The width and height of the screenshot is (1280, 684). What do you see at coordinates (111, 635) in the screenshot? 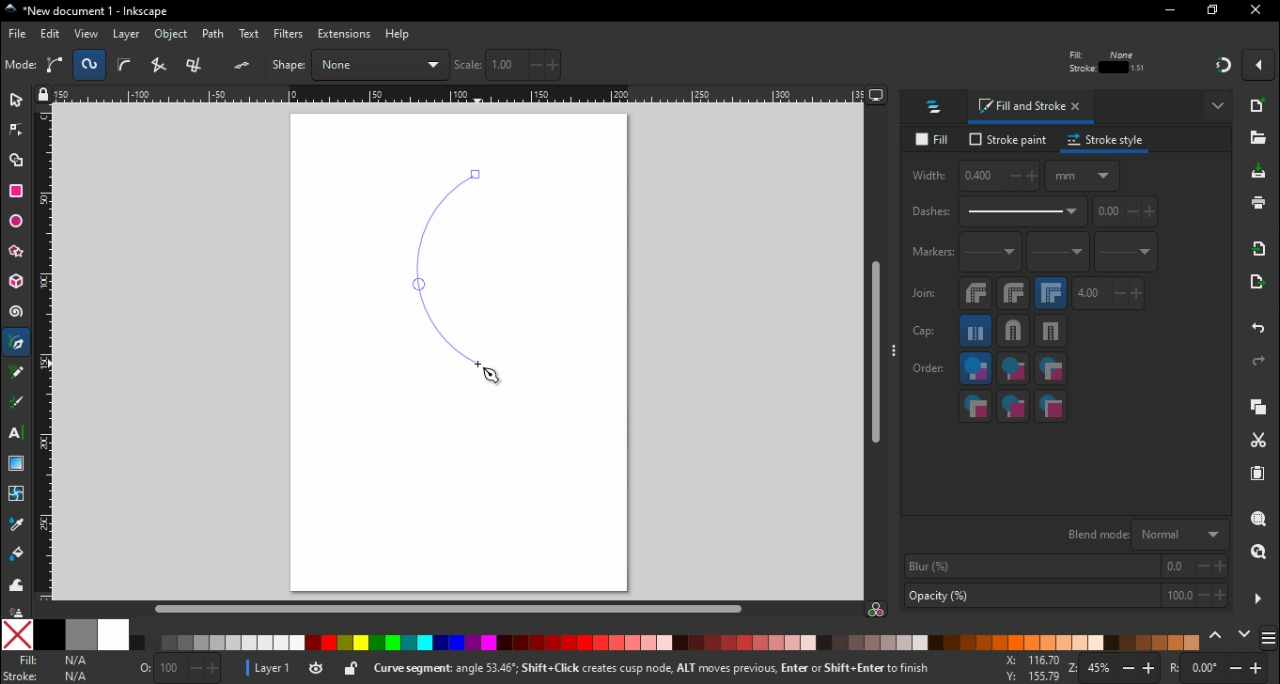
I see `white` at bounding box center [111, 635].